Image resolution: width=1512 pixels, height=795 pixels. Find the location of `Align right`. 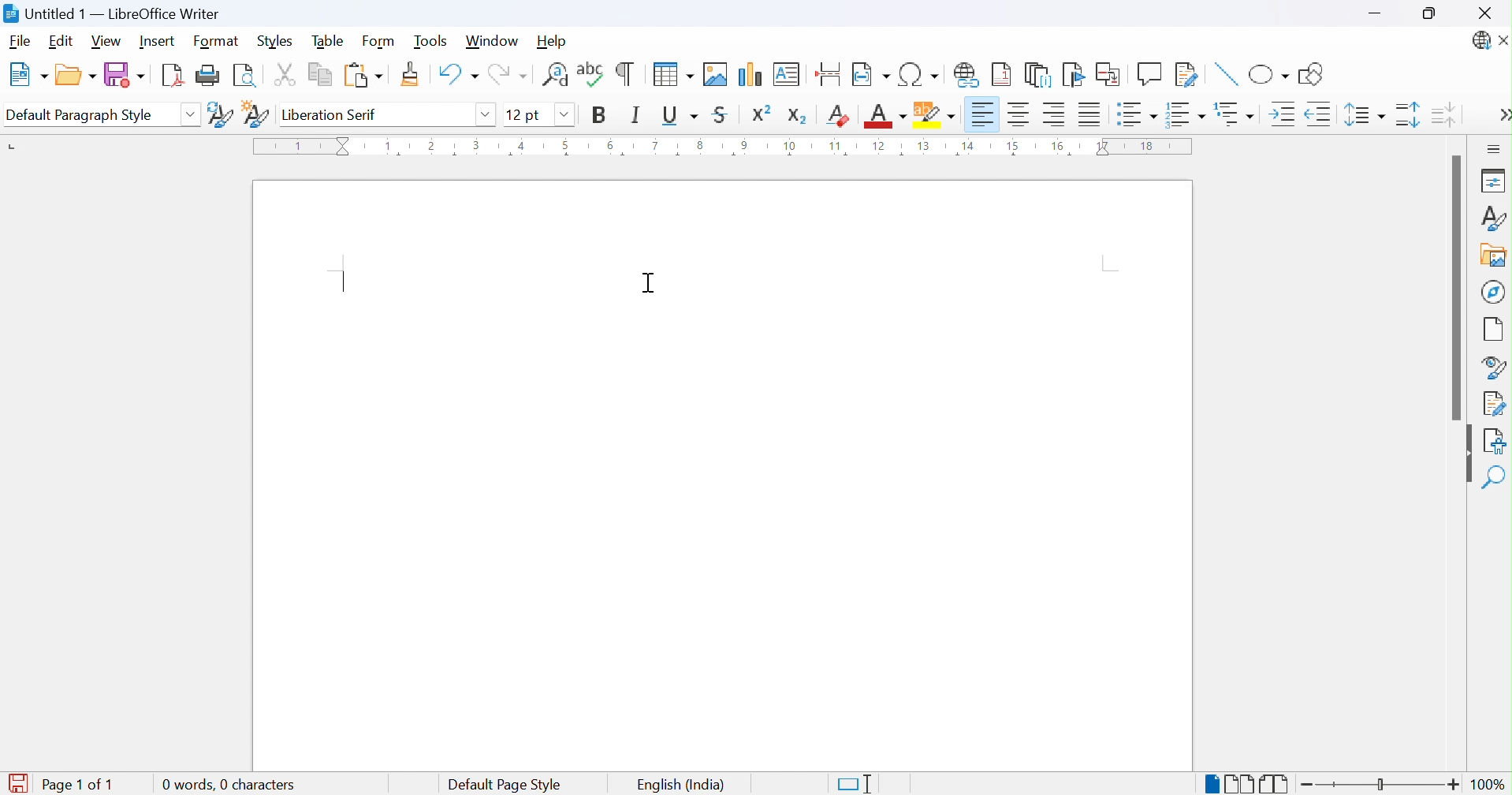

Align right is located at coordinates (1056, 117).